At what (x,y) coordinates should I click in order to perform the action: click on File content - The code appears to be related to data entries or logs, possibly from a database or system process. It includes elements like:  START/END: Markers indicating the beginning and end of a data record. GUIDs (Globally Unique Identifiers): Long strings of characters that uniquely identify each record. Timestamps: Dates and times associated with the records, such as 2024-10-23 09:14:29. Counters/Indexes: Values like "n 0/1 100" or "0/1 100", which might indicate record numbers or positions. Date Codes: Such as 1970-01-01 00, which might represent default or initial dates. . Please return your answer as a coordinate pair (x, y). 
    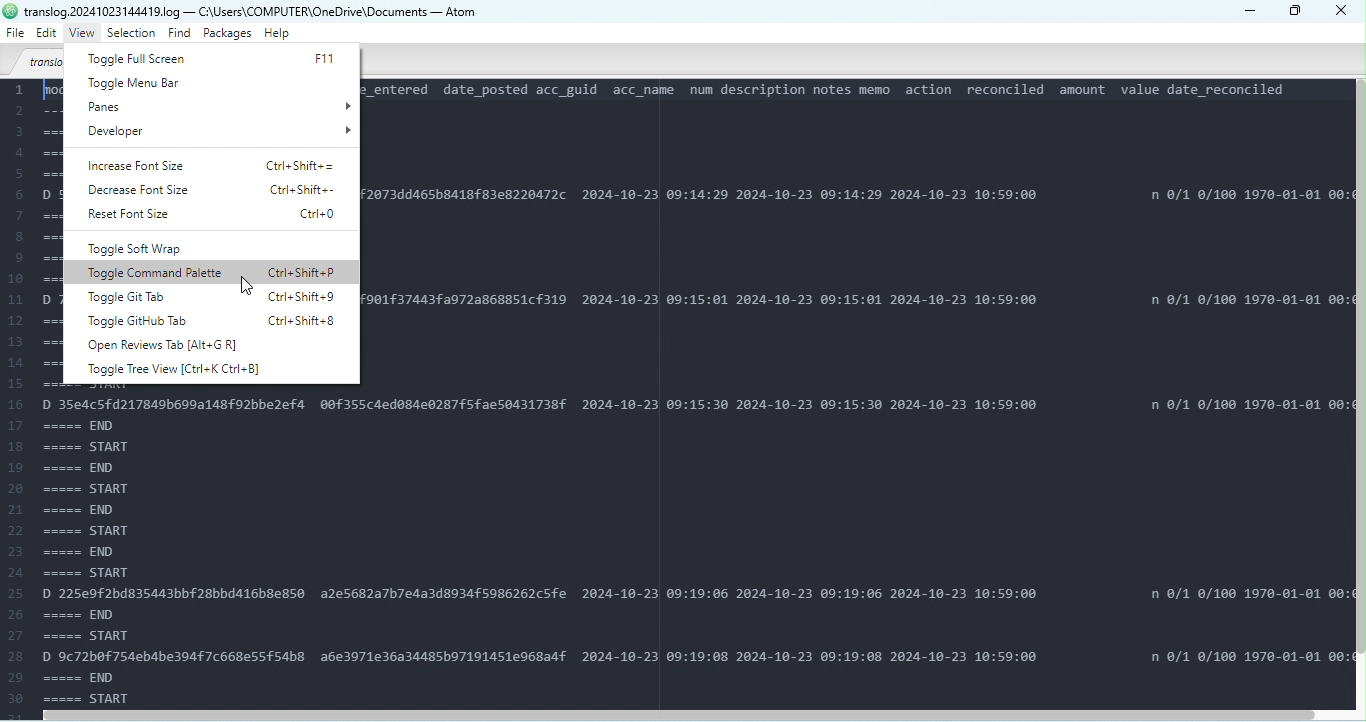
    Looking at the image, I should click on (182, 547).